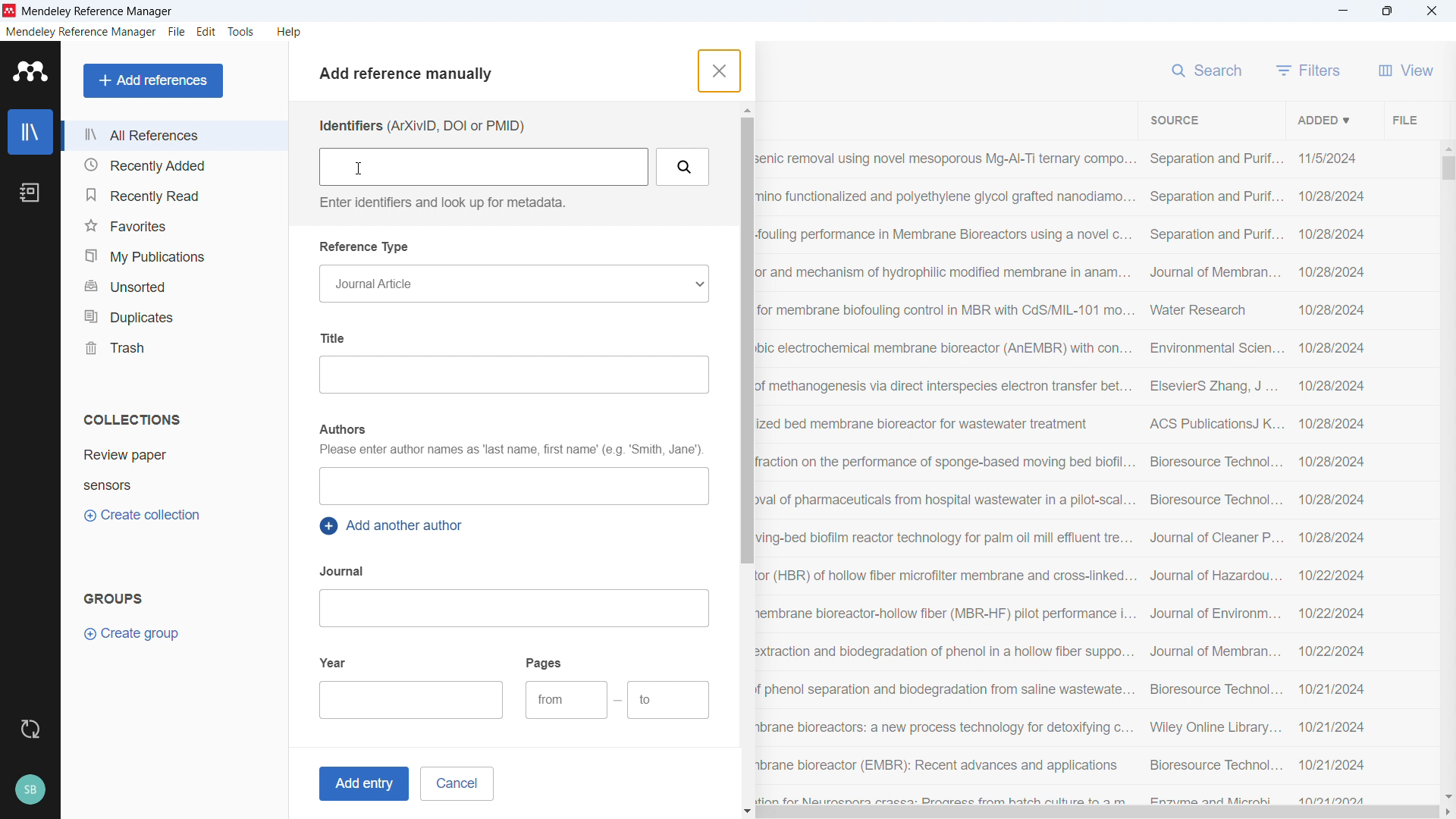 This screenshot has height=819, width=1456. What do you see at coordinates (748, 812) in the screenshot?
I see `Scroll down` at bounding box center [748, 812].